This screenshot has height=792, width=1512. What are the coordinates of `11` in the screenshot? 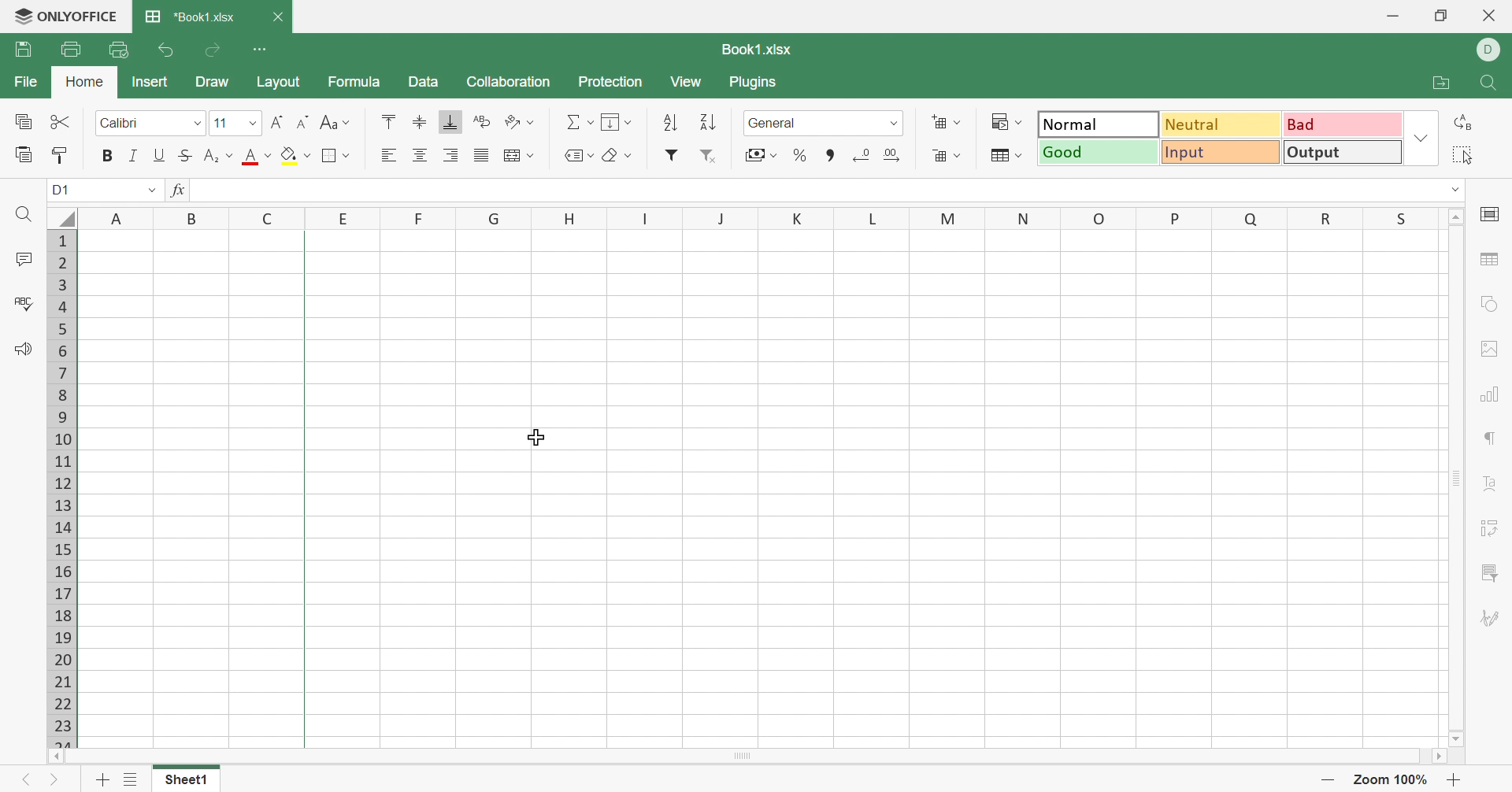 It's located at (220, 122).